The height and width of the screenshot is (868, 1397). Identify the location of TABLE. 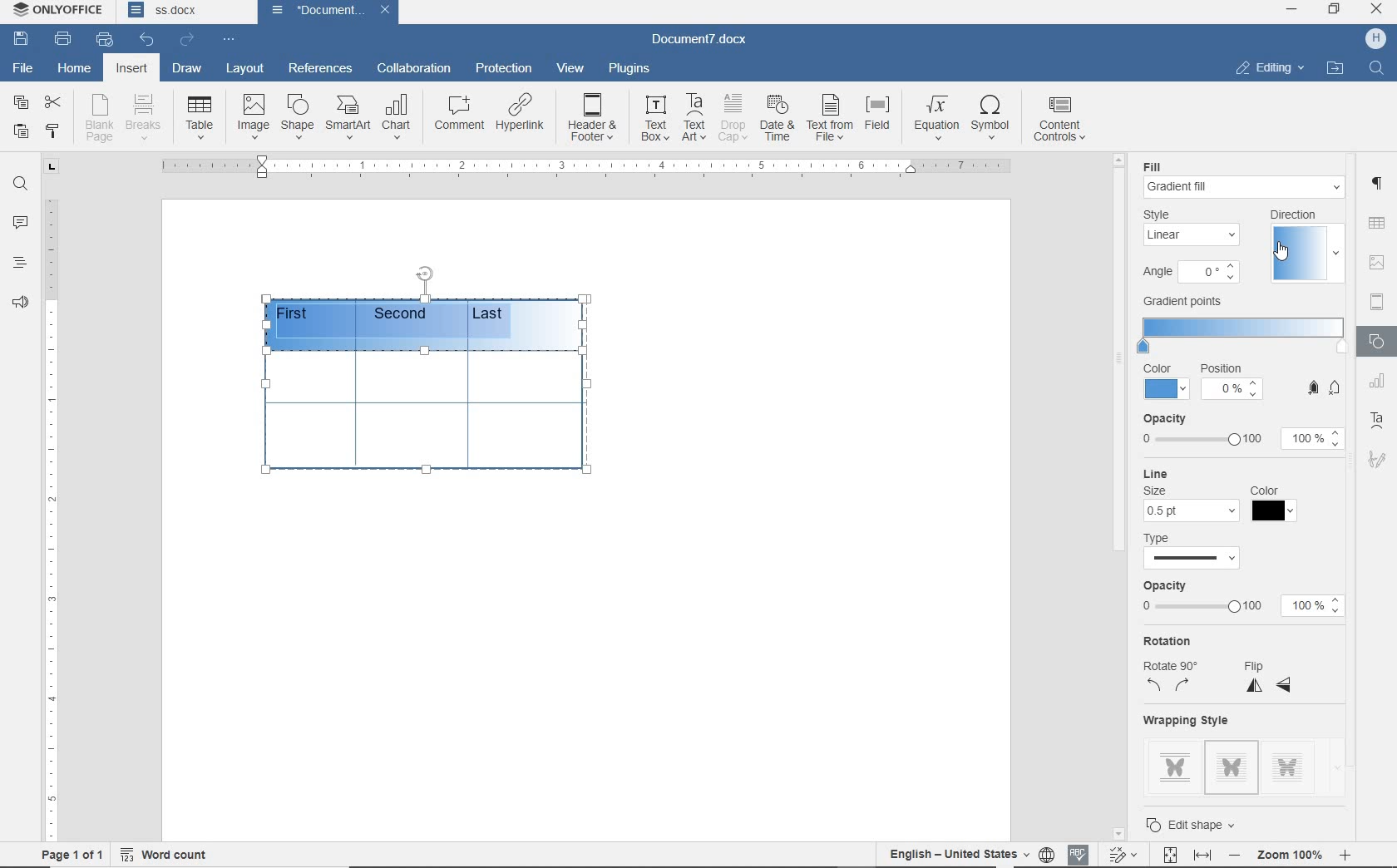
(1376, 223).